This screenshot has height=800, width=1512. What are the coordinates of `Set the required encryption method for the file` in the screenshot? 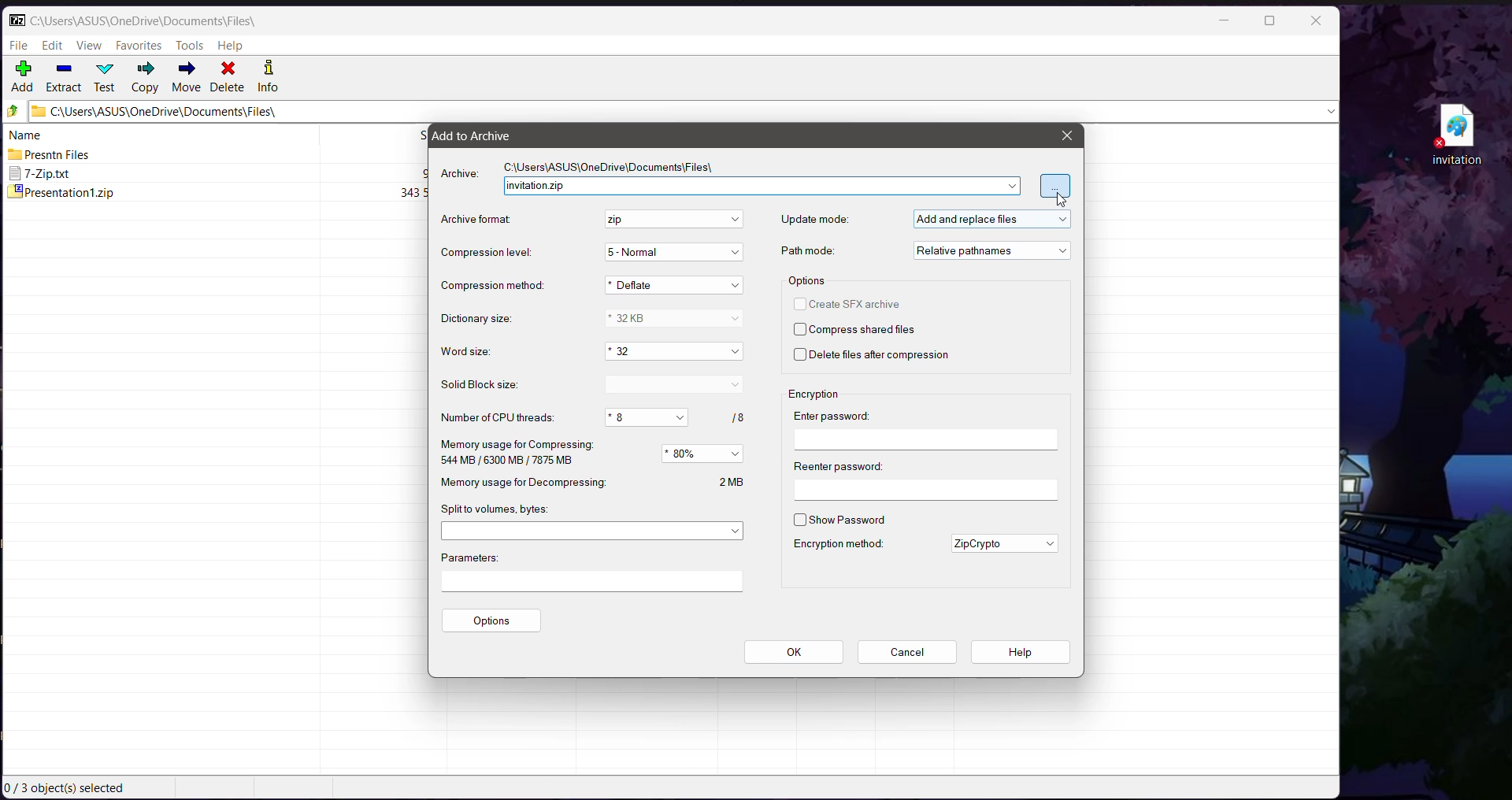 It's located at (1004, 543).